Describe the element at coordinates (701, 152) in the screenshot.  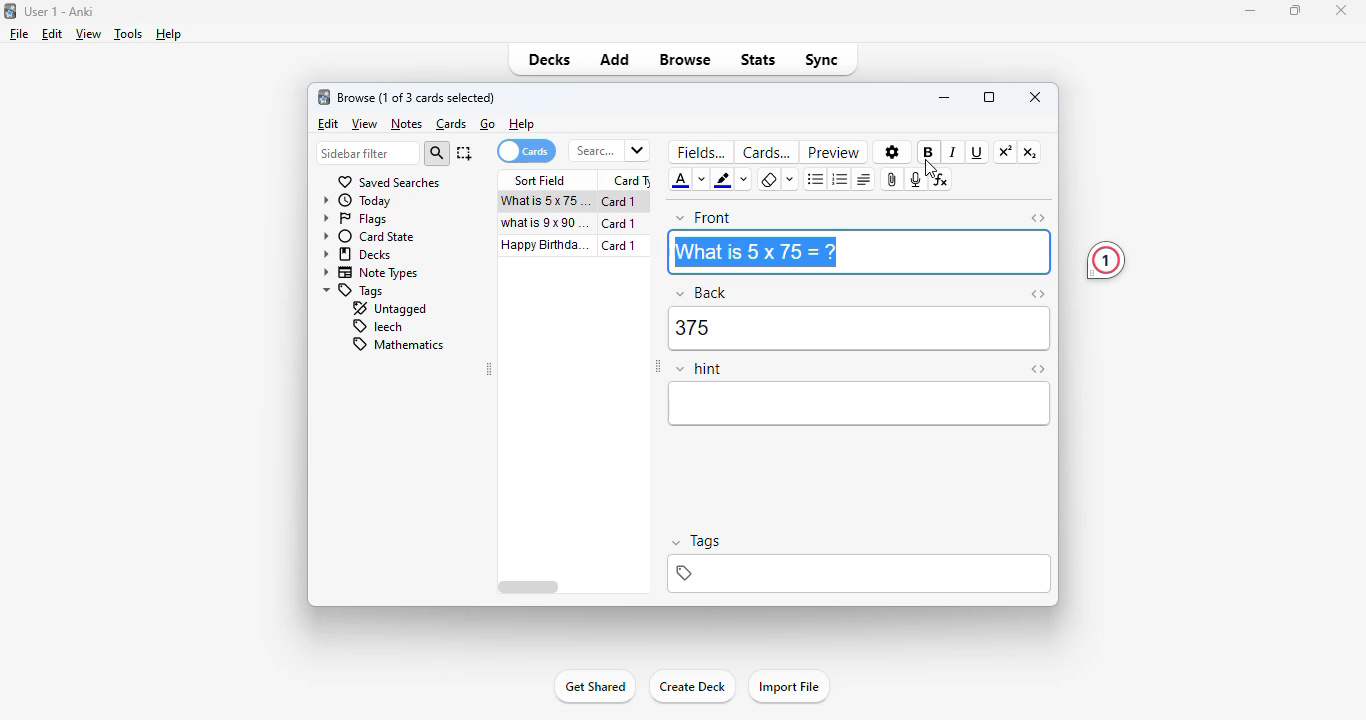
I see `fields` at that location.